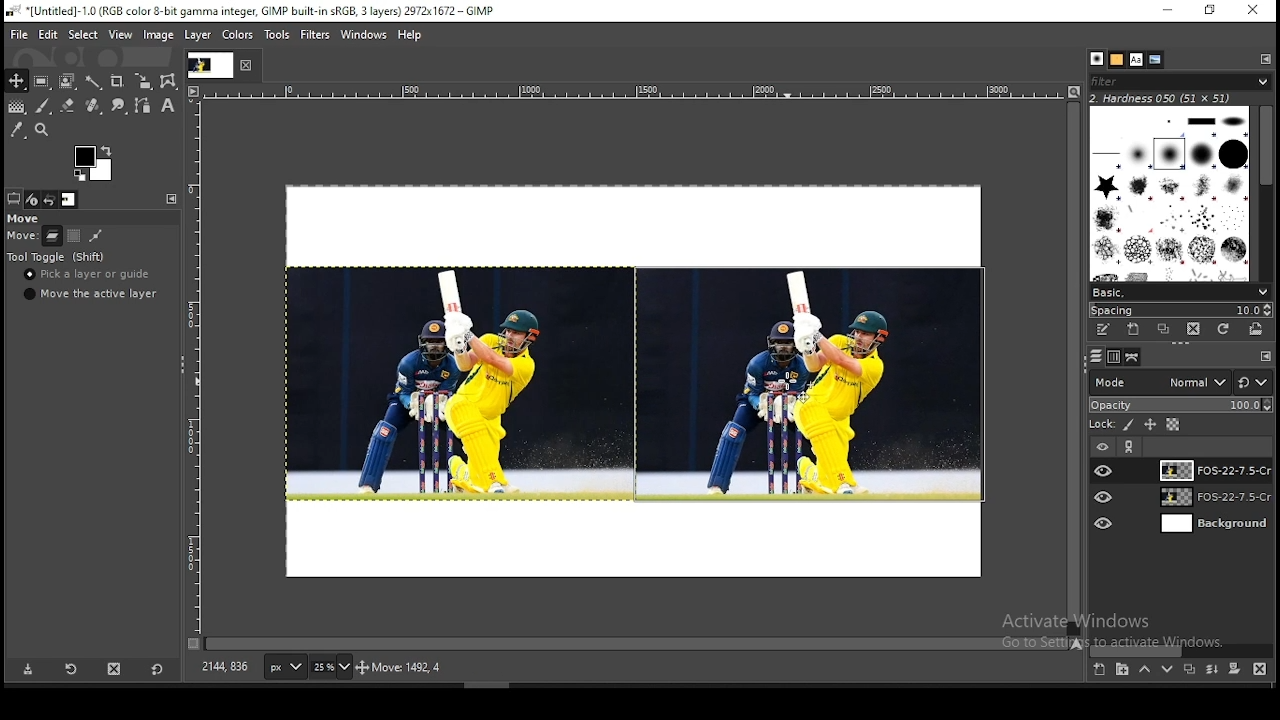 Image resolution: width=1280 pixels, height=720 pixels. I want to click on layer visibility on/off, so click(1105, 497).